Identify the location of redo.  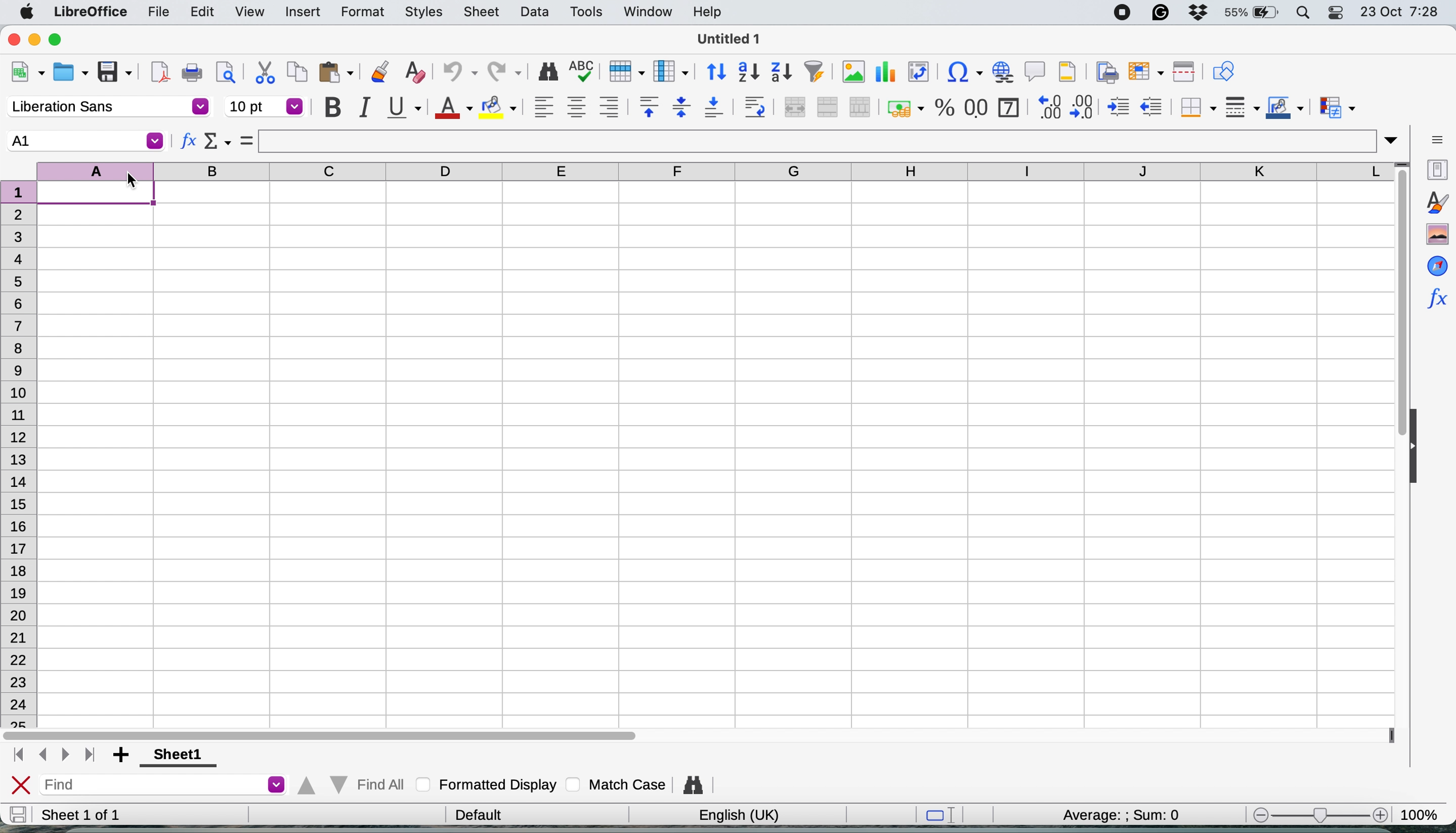
(505, 71).